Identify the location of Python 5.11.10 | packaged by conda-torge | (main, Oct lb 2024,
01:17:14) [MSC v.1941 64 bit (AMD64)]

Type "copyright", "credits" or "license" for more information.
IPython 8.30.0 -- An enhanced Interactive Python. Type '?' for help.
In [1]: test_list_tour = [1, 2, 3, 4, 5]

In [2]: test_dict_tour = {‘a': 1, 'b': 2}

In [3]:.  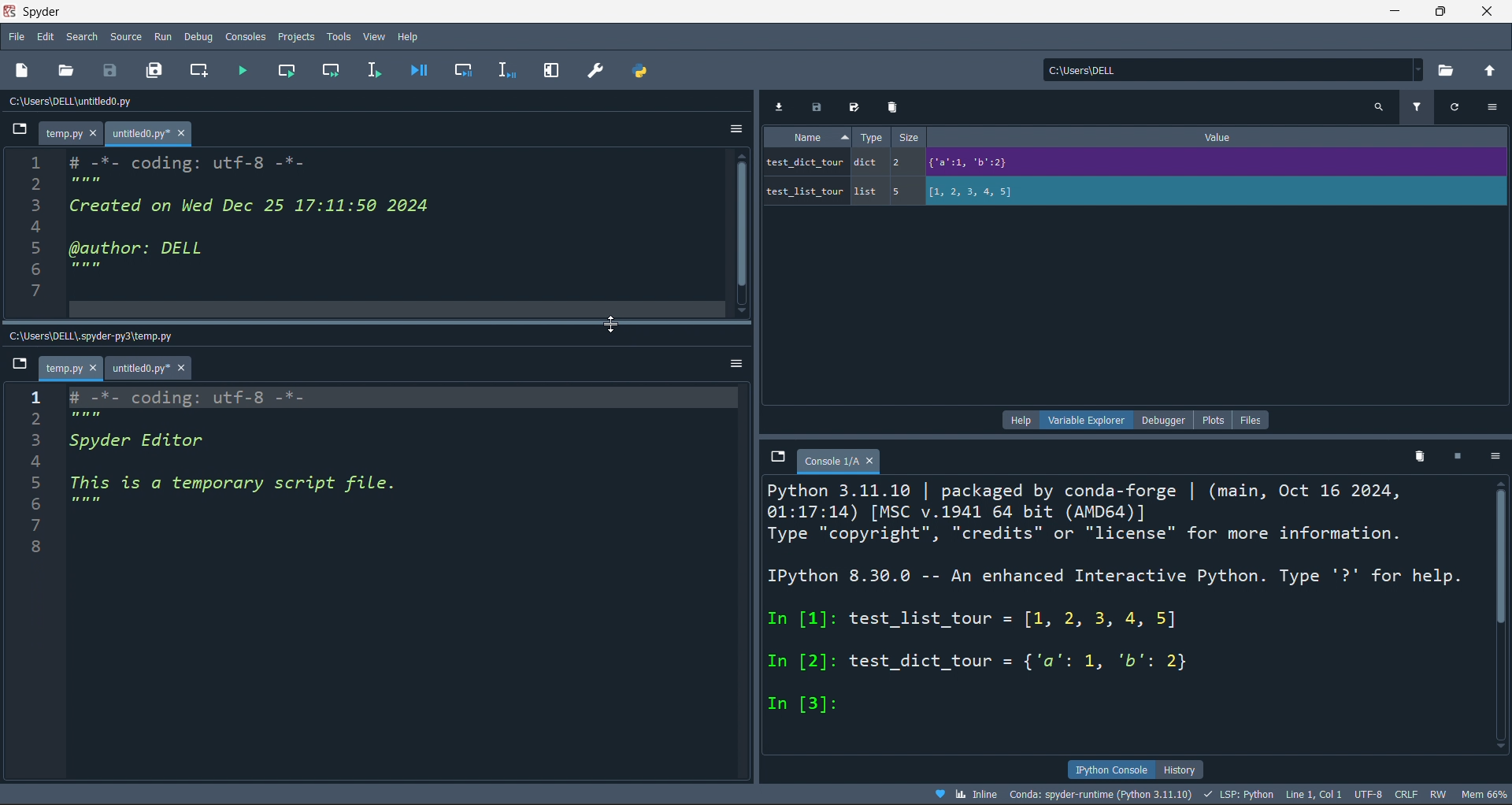
(1117, 600).